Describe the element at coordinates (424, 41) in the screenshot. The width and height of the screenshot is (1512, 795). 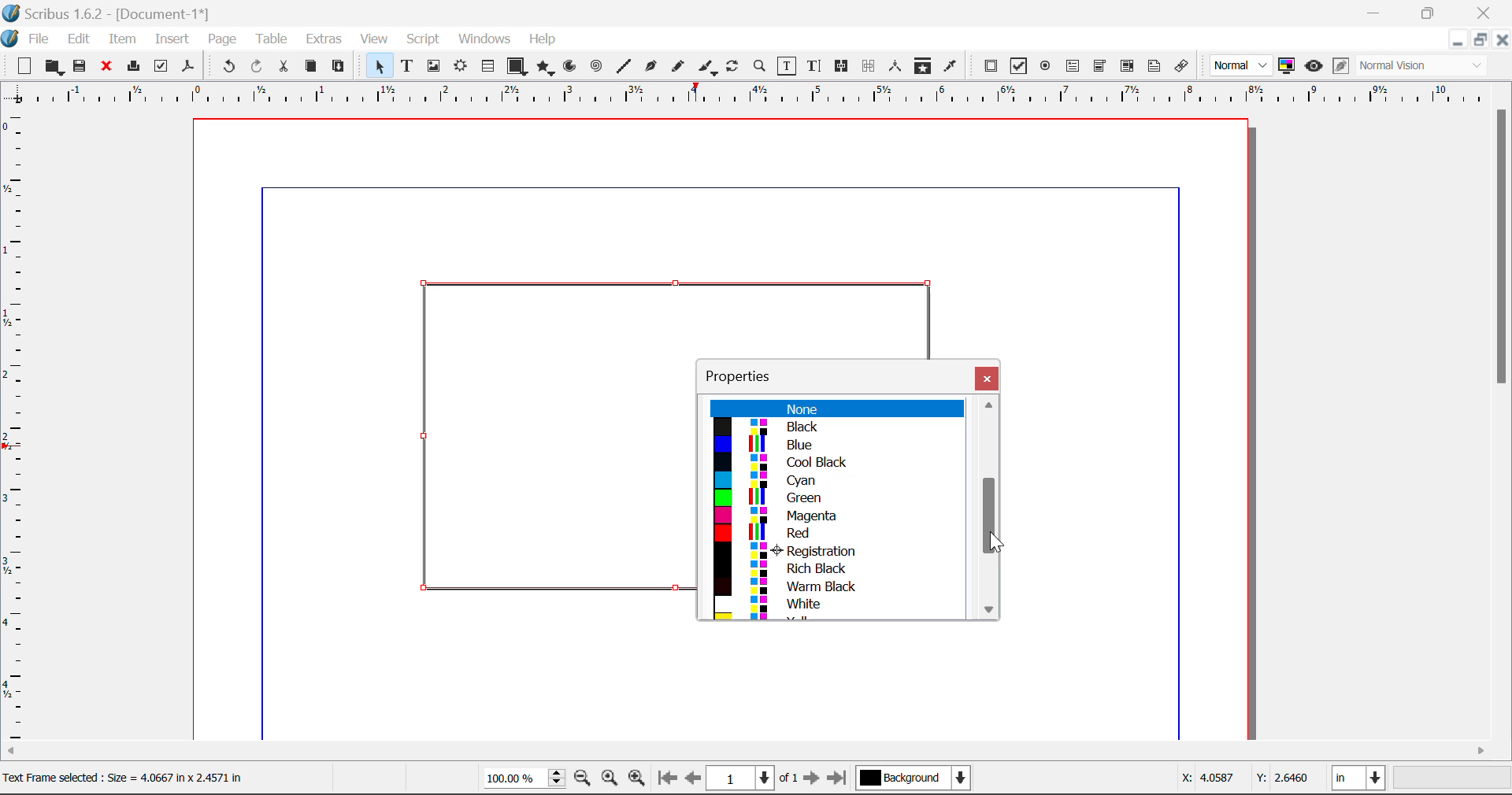
I see `Script` at that location.